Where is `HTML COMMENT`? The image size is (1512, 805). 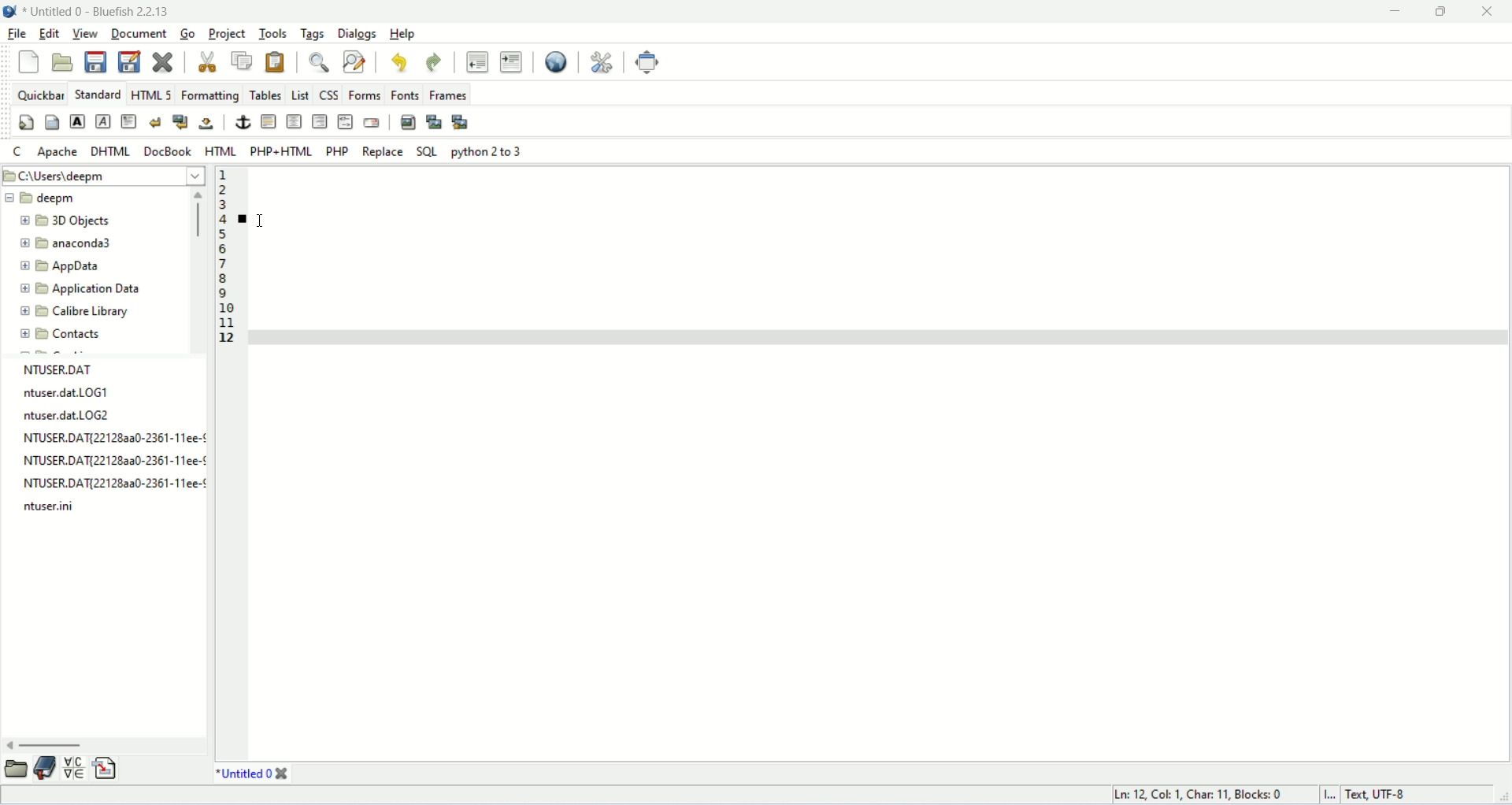 HTML COMMENT is located at coordinates (345, 121).